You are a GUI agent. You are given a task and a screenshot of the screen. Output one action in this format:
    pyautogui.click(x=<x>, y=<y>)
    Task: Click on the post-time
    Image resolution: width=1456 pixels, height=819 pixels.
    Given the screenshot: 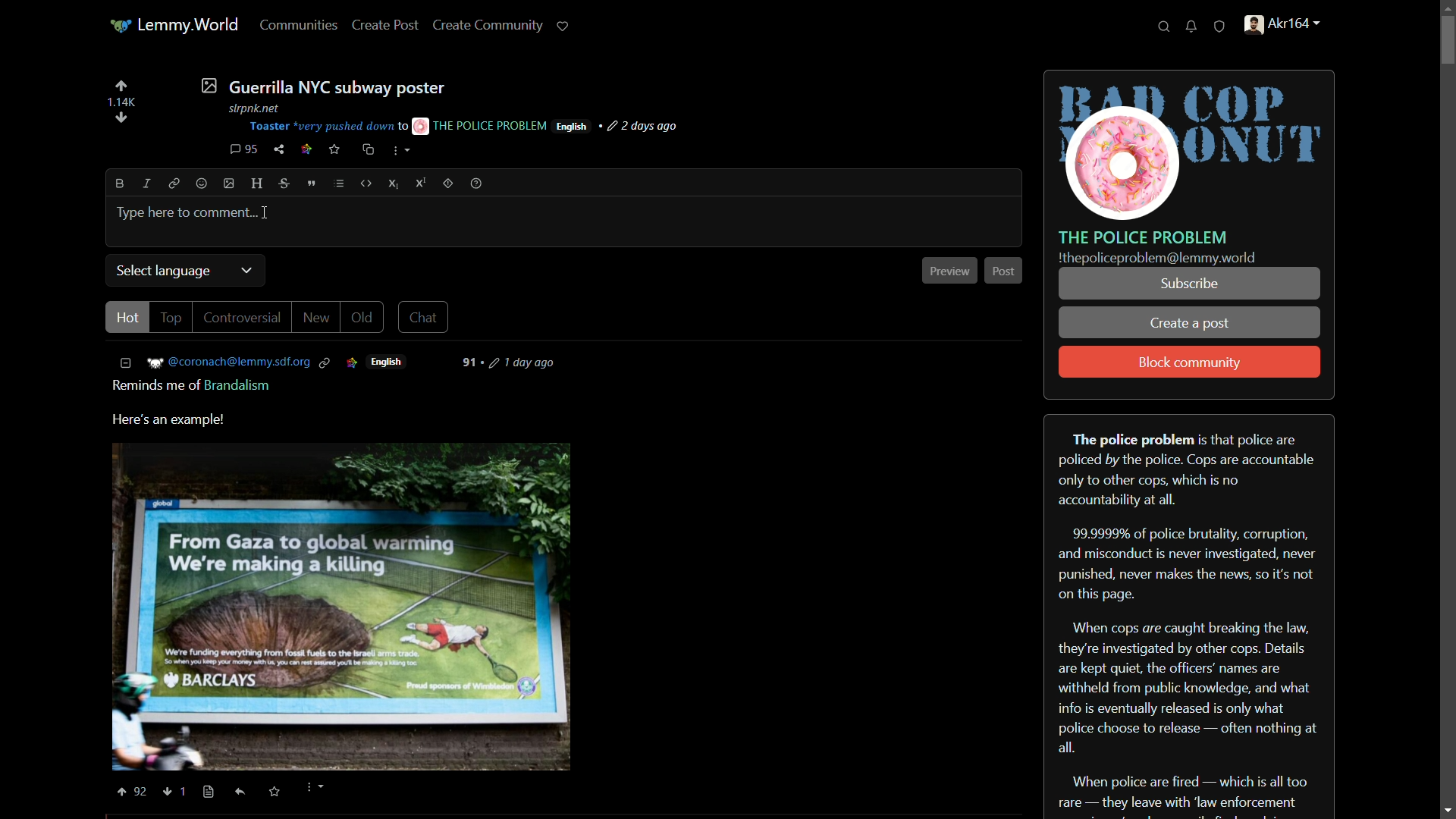 What is the action you would take?
    pyautogui.click(x=645, y=127)
    